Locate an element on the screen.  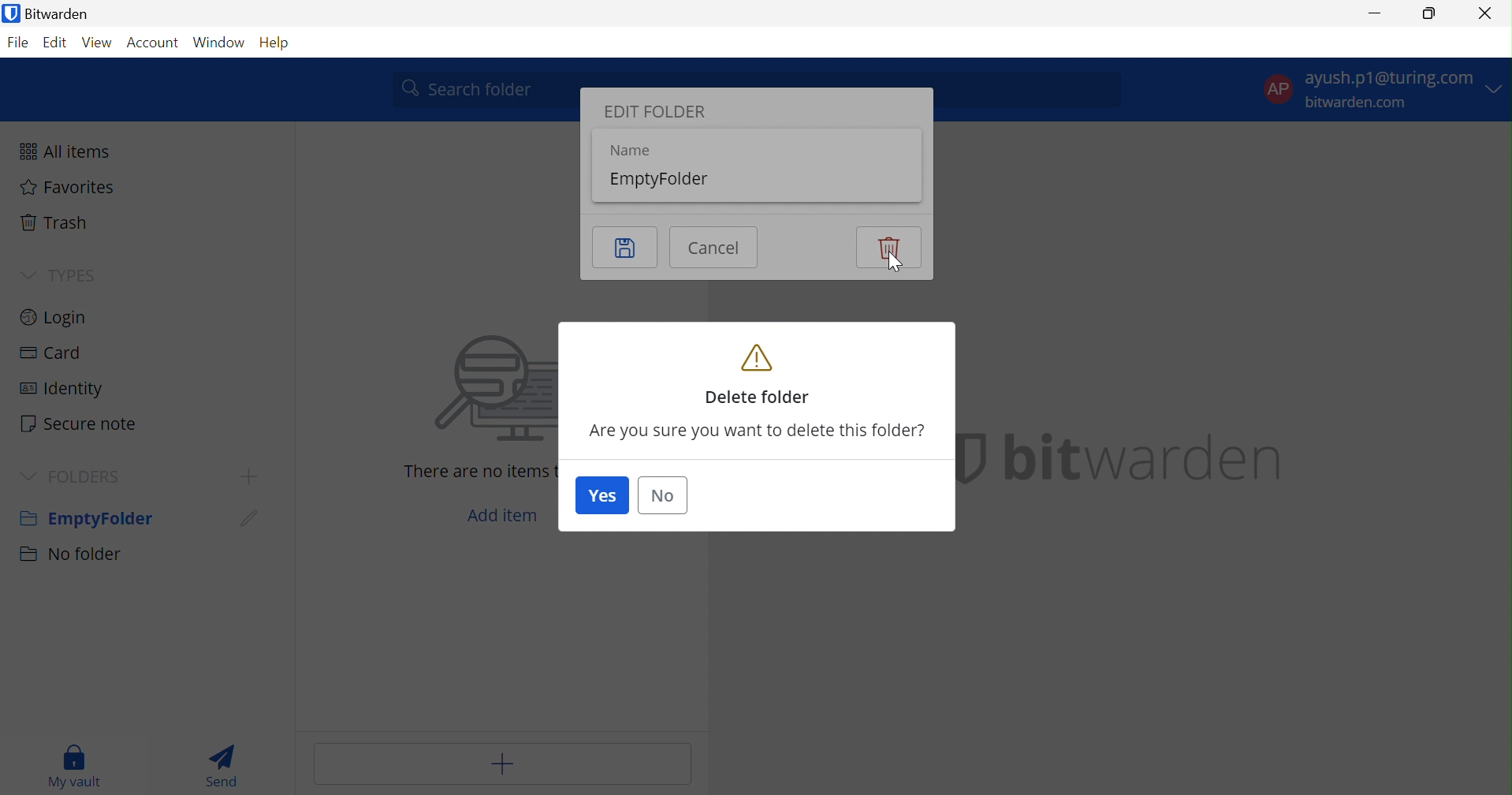
Account options is located at coordinates (1384, 88).